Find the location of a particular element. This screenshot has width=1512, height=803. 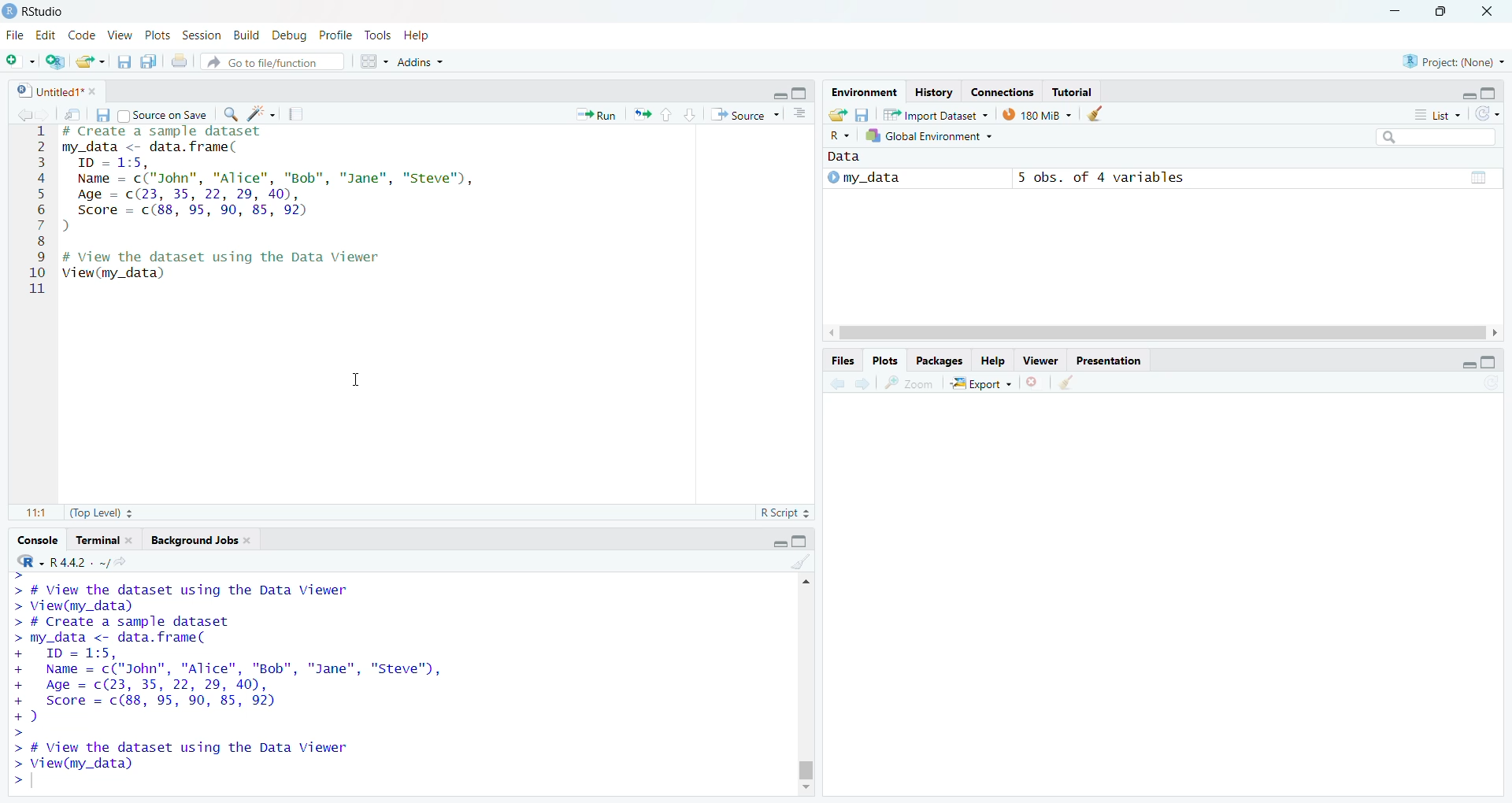

Edit is located at coordinates (47, 35).